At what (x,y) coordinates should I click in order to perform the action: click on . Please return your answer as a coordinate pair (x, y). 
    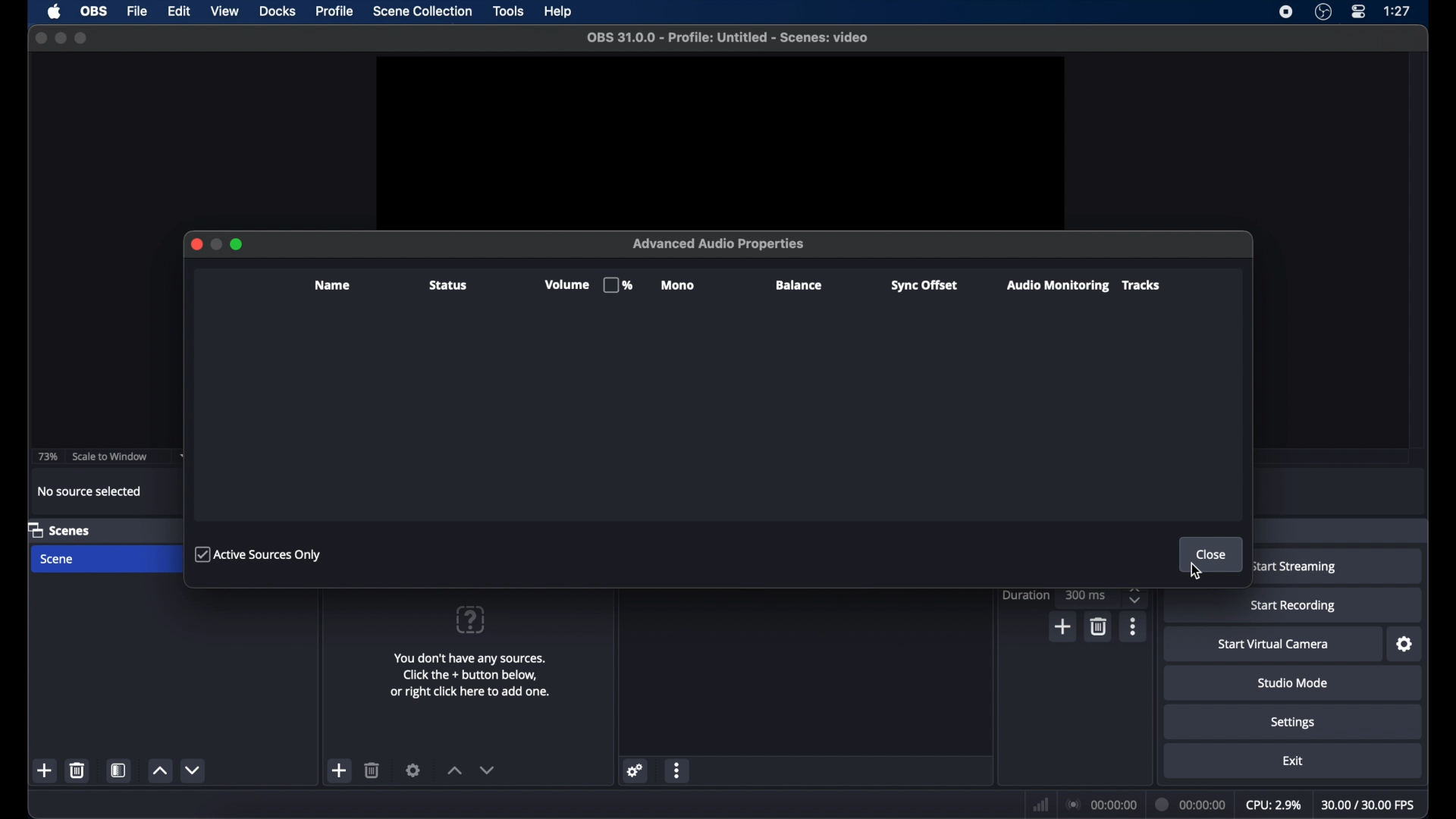
    Looking at the image, I should click on (215, 244).